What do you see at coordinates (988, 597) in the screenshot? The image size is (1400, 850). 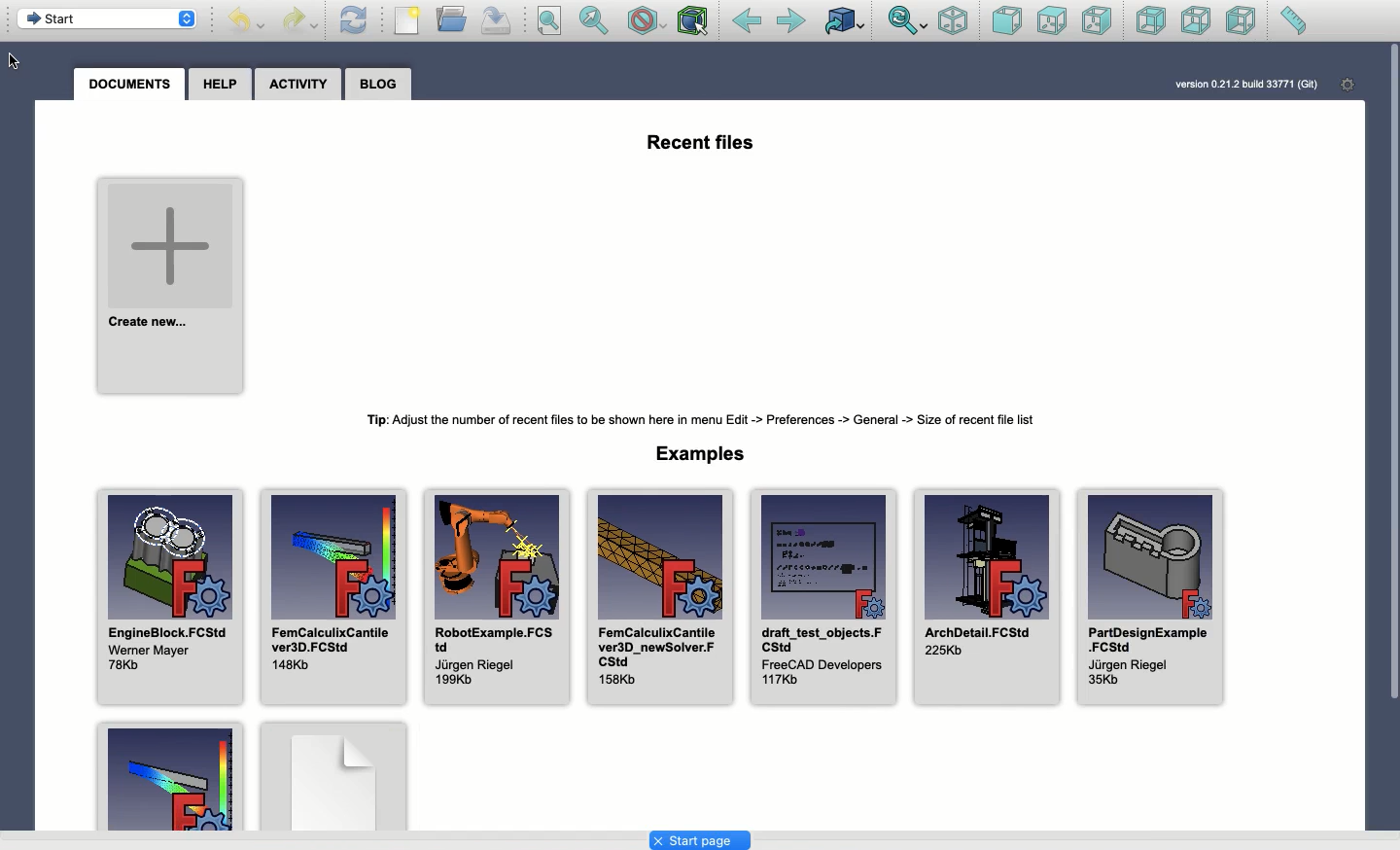 I see `ArchDetail.FCStd` at bounding box center [988, 597].